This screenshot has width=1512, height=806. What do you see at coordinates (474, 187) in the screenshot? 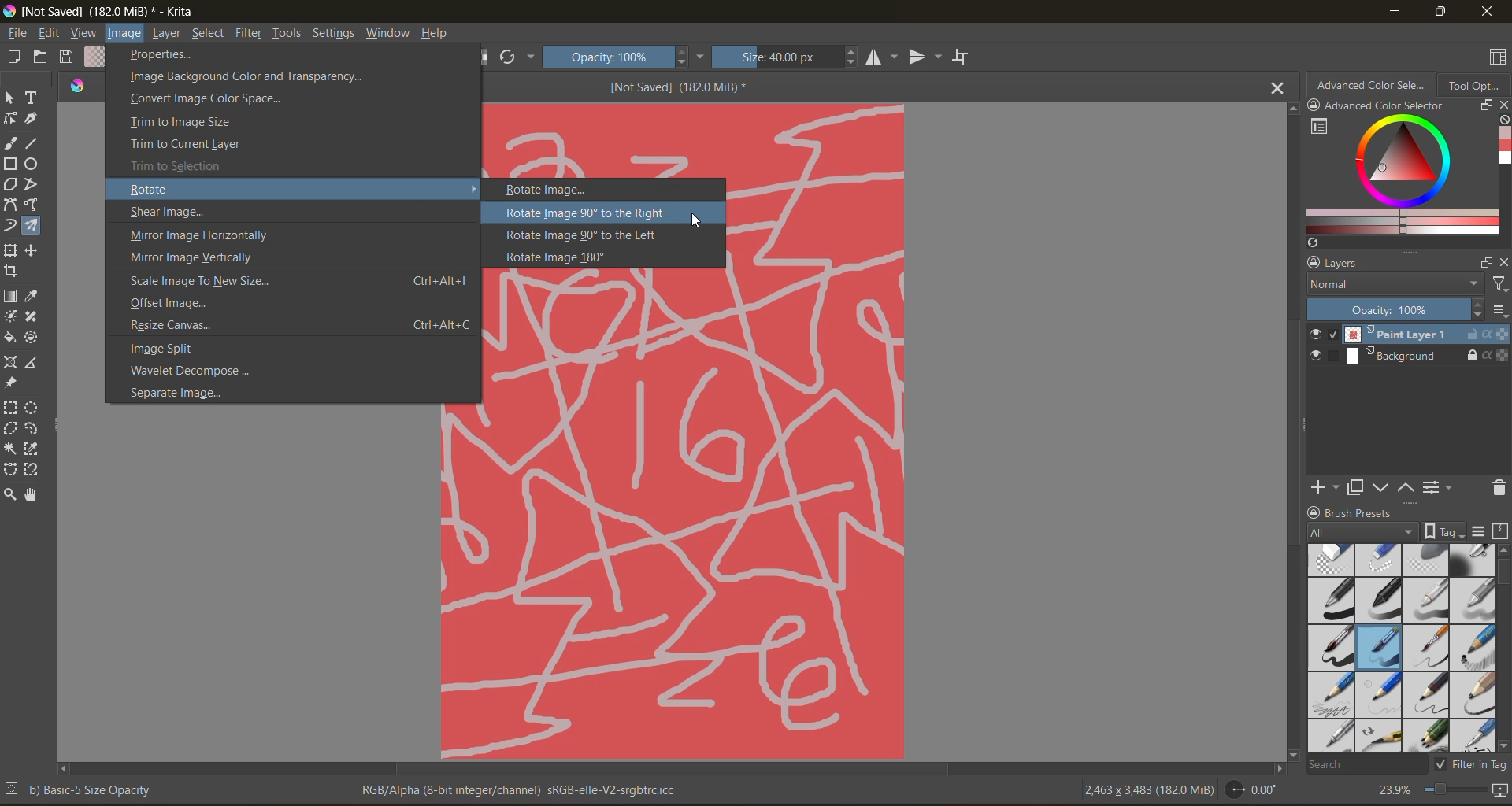
I see `Arrow` at bounding box center [474, 187].